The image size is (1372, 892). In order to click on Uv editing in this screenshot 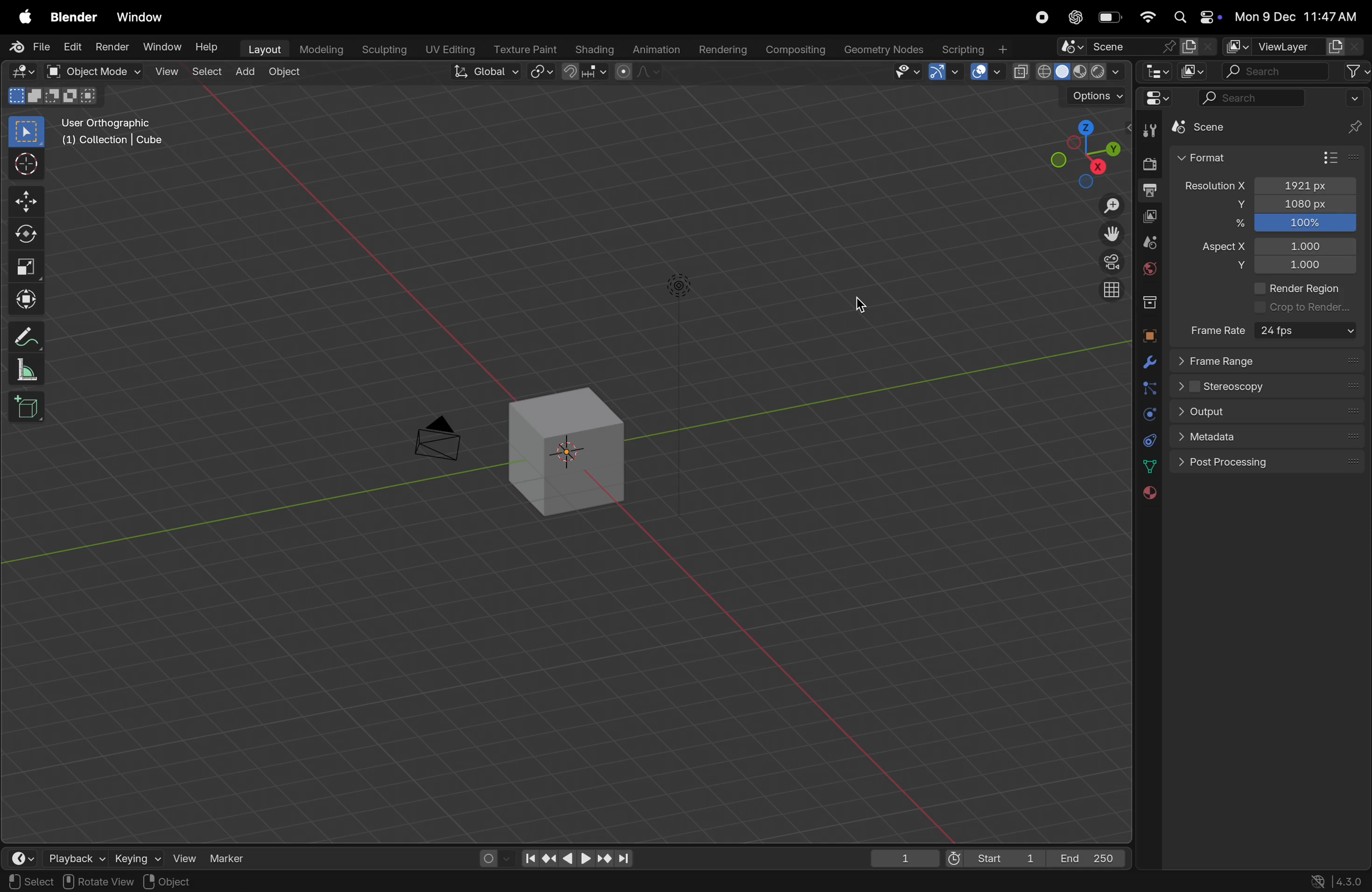, I will do `click(450, 48)`.